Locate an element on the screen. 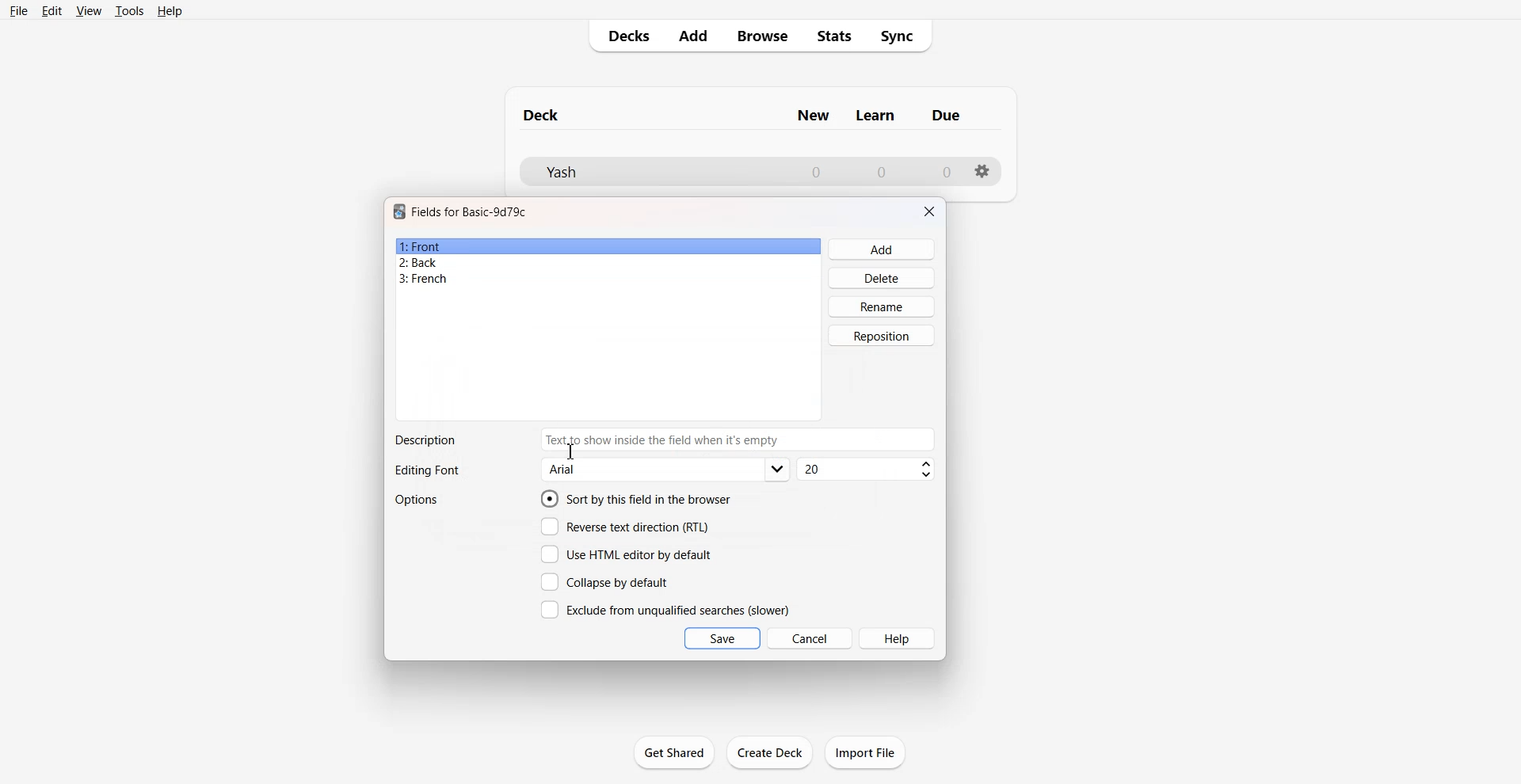  Edit is located at coordinates (51, 11).